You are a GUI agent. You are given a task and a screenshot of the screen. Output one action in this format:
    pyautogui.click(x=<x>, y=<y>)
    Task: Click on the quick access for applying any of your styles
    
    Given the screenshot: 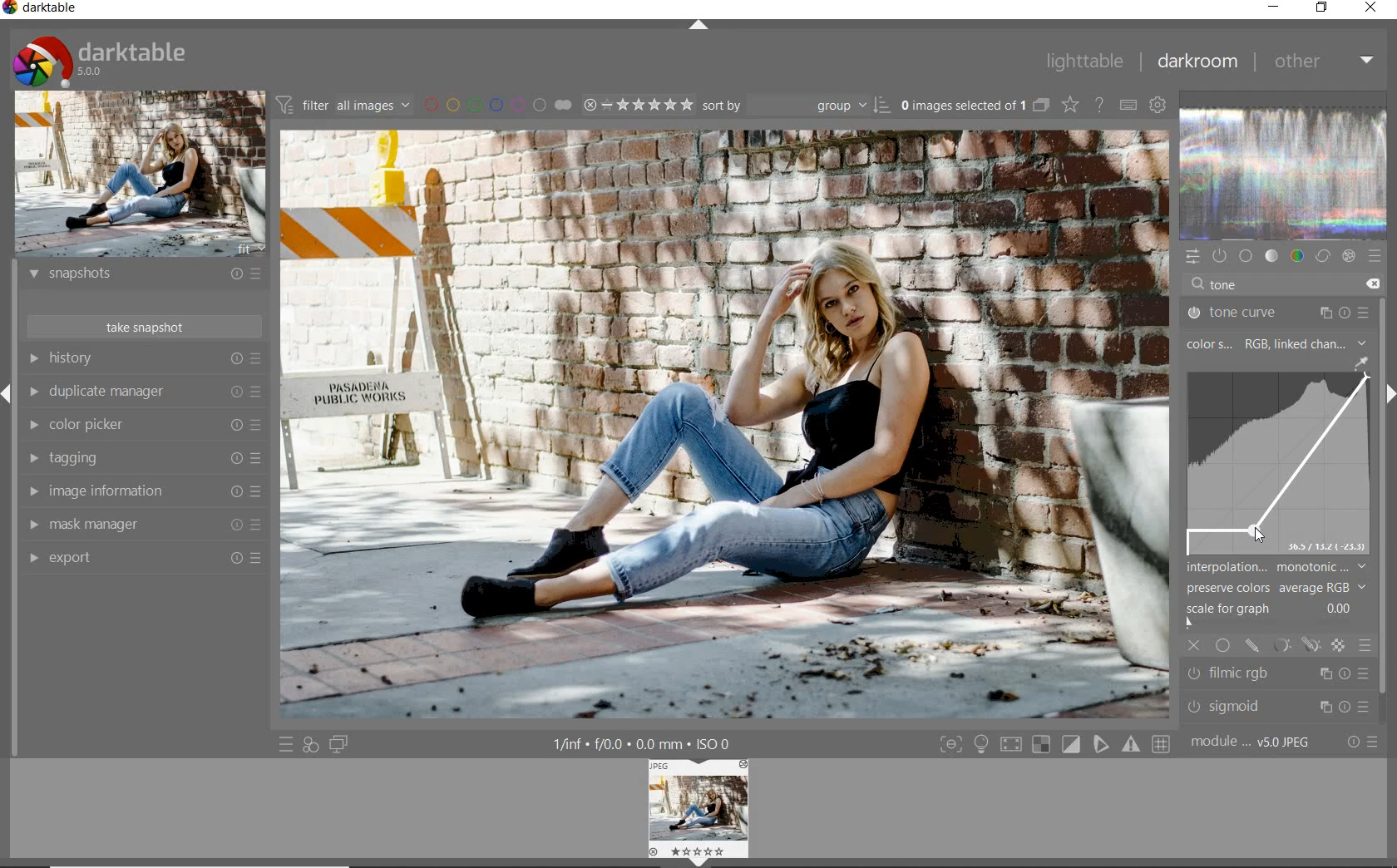 What is the action you would take?
    pyautogui.click(x=311, y=745)
    